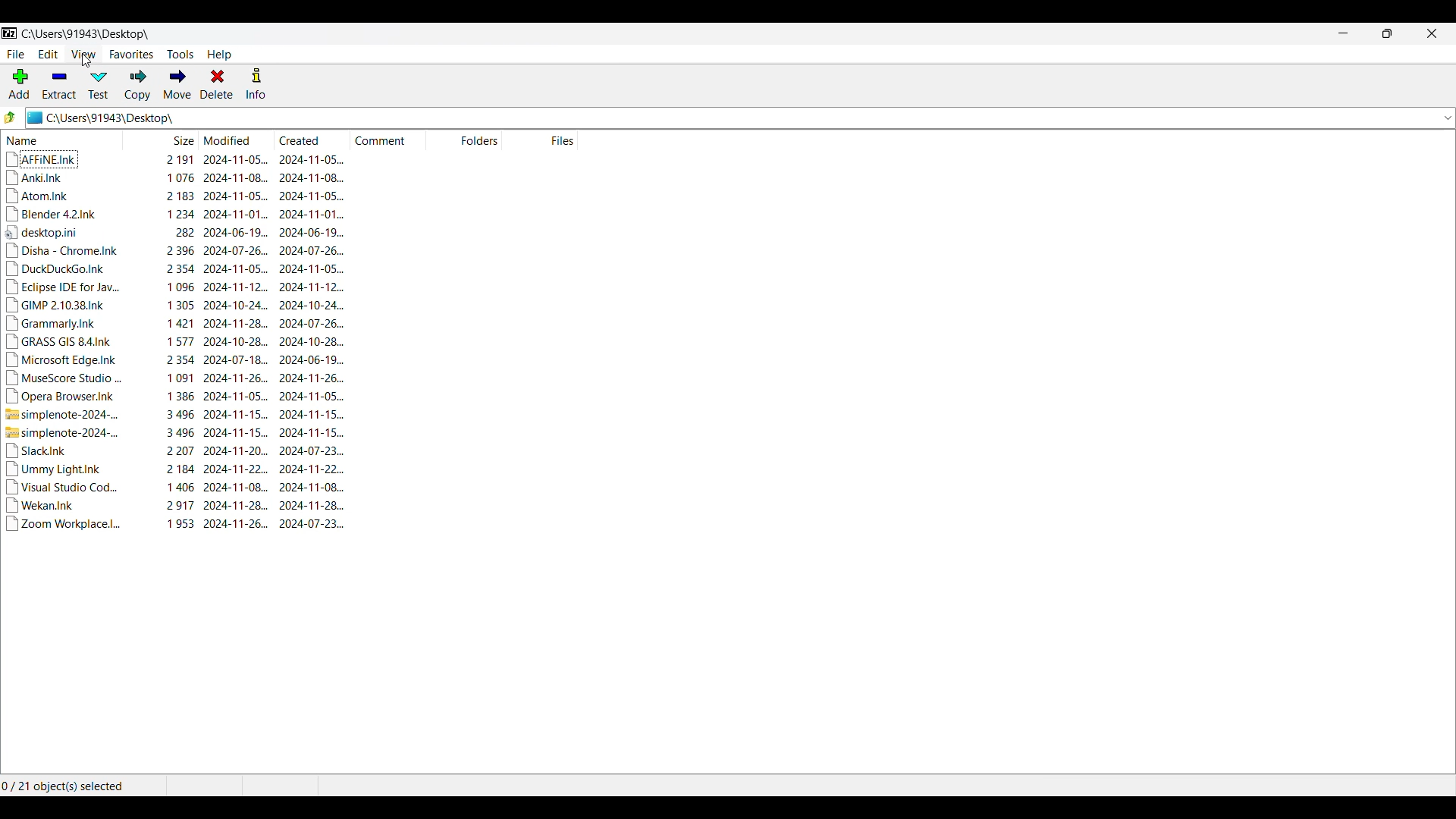  Describe the element at coordinates (160, 140) in the screenshot. I see `Size` at that location.